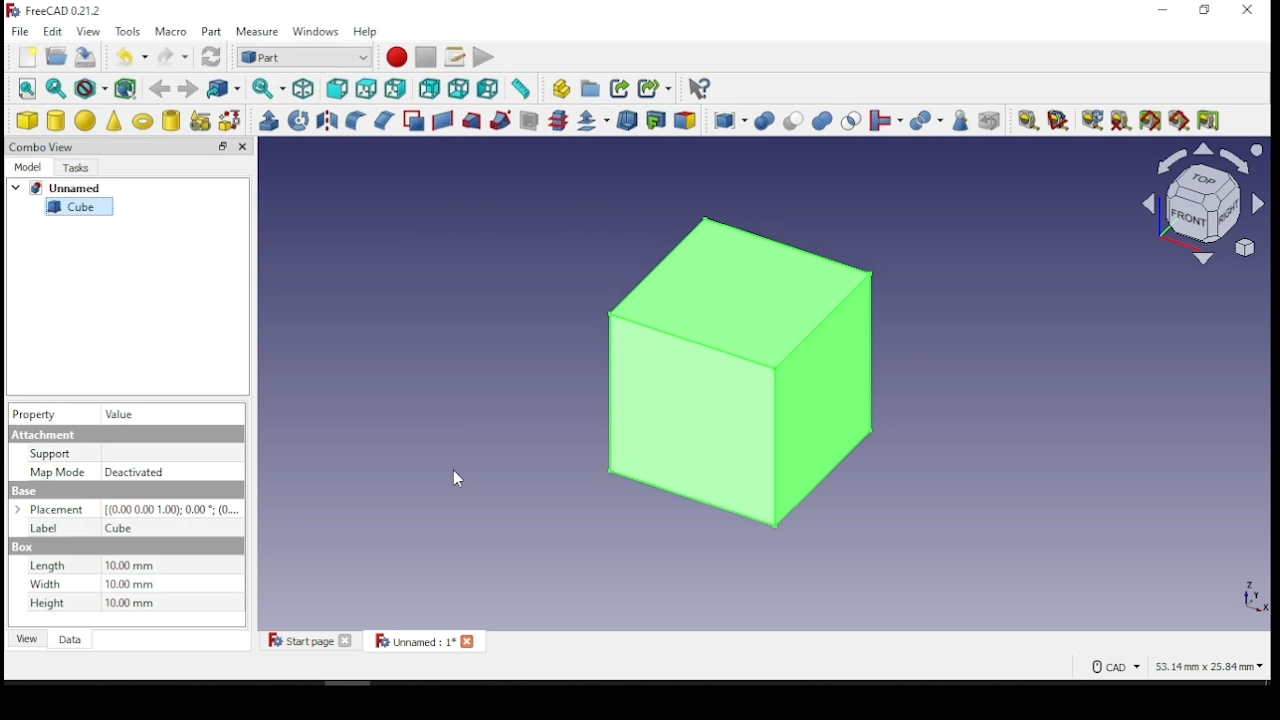  What do you see at coordinates (337, 91) in the screenshot?
I see `front` at bounding box center [337, 91].